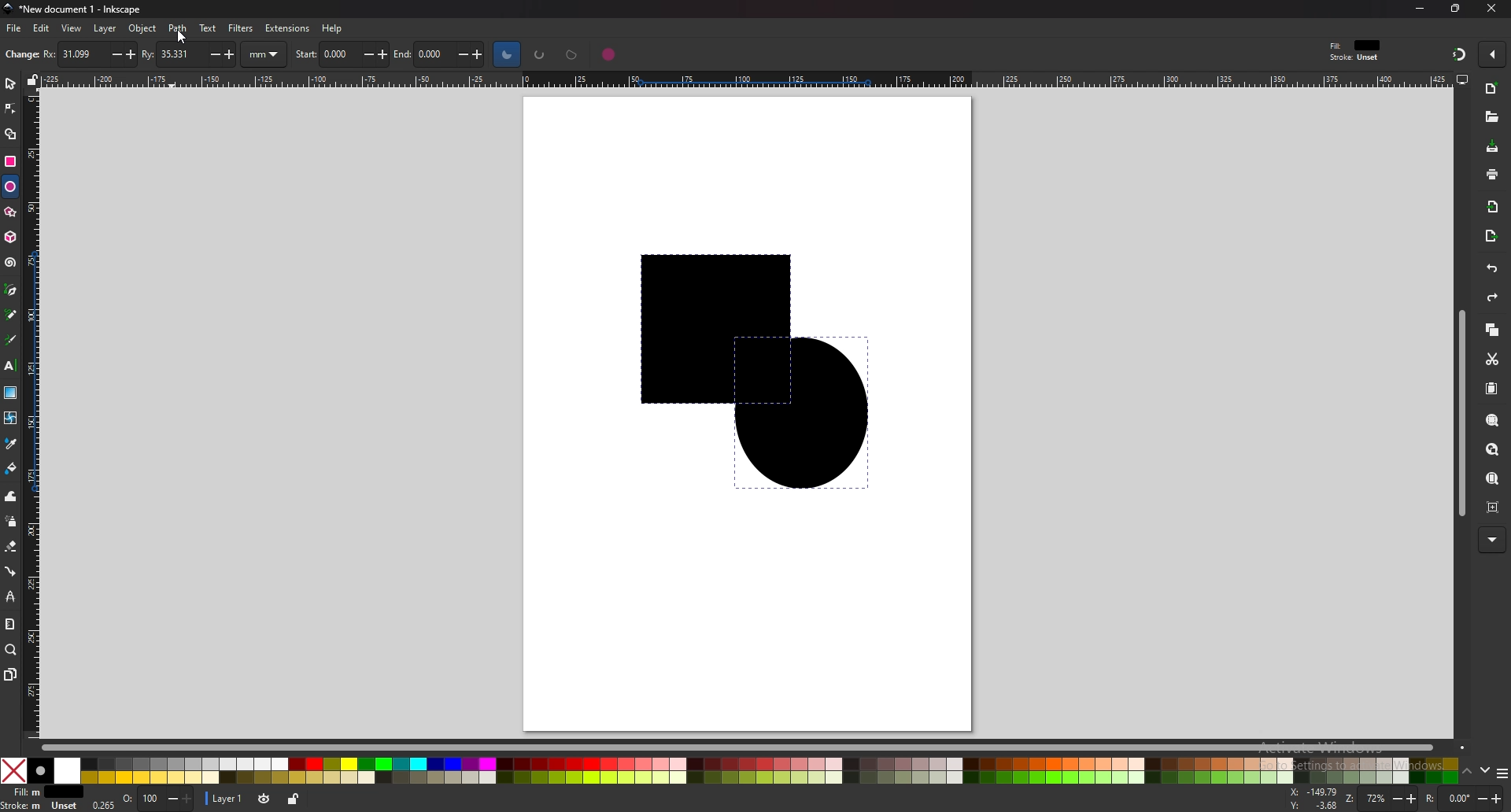 This screenshot has height=812, width=1511. Describe the element at coordinates (10, 82) in the screenshot. I see `select` at that location.